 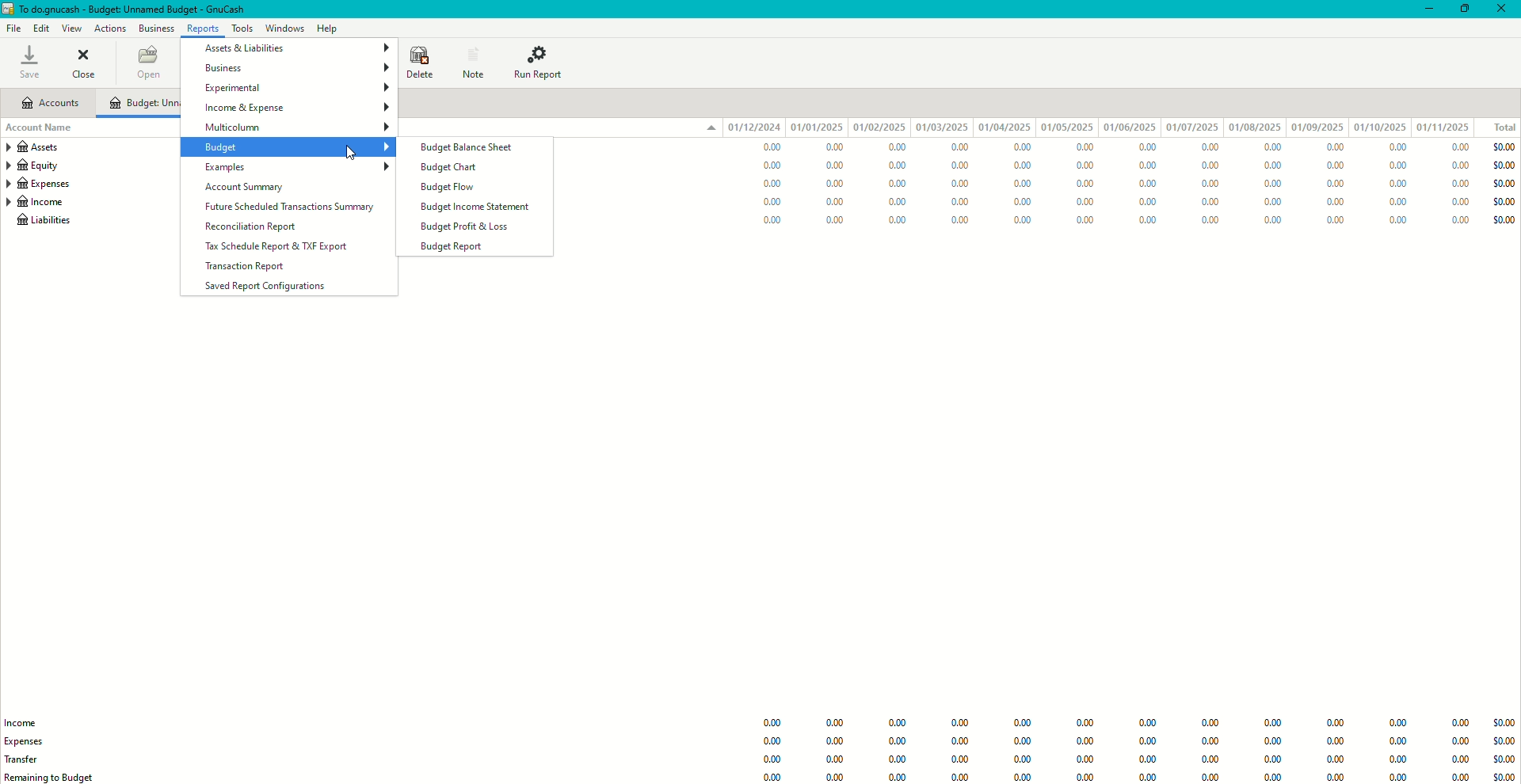 I want to click on 0.00, so click(x=775, y=761).